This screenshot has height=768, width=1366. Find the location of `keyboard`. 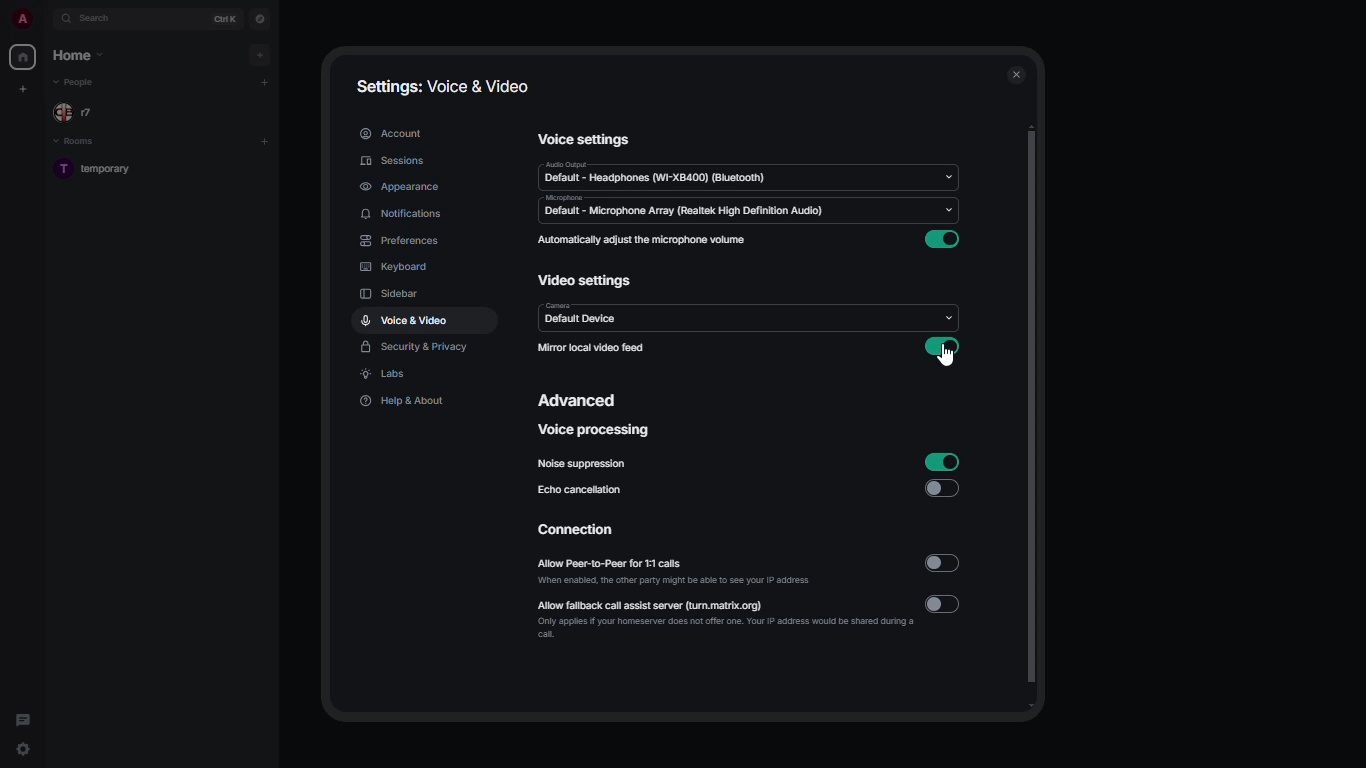

keyboard is located at coordinates (392, 268).